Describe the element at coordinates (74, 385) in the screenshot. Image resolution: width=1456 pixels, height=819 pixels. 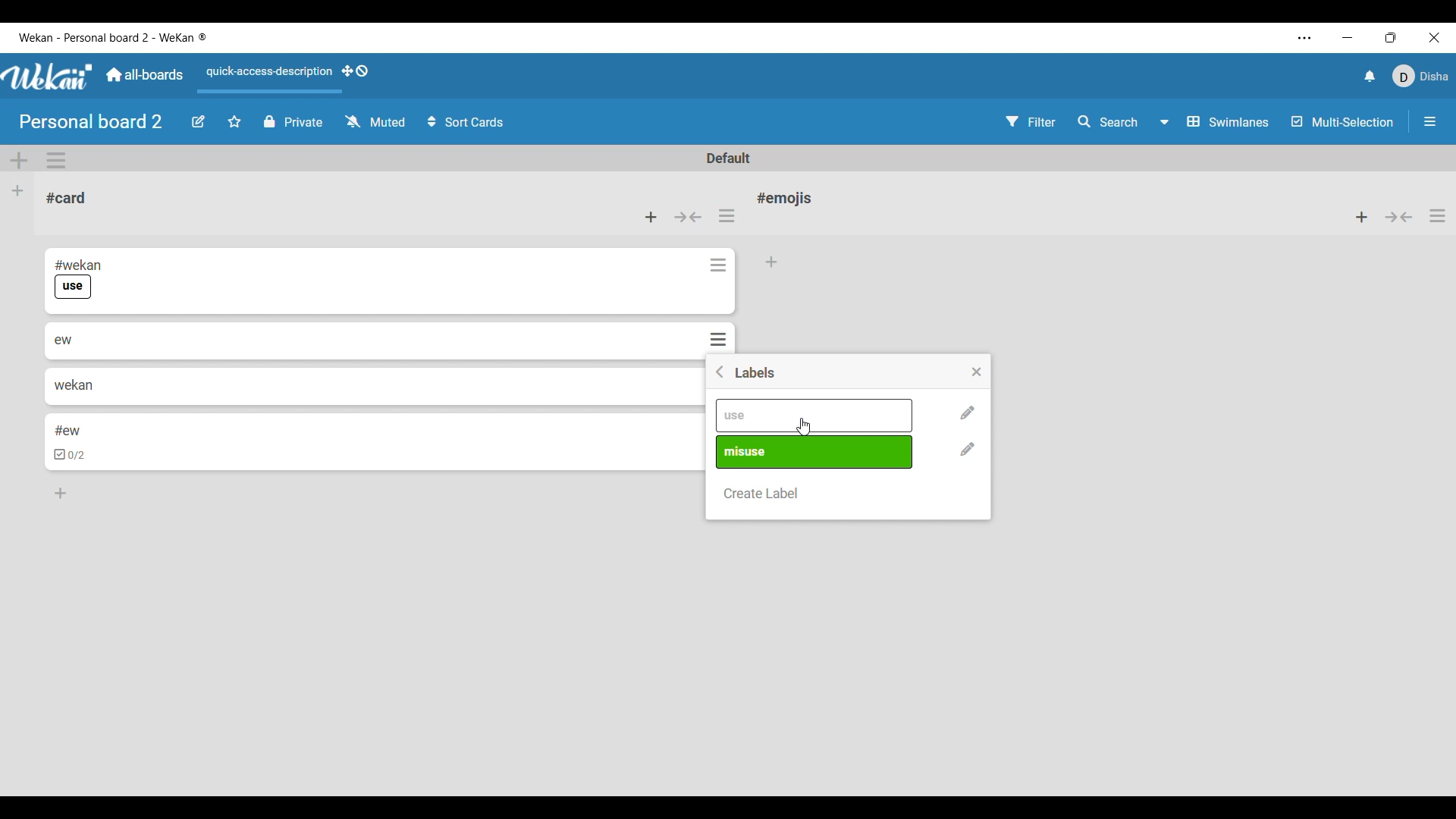
I see `wekan` at that location.